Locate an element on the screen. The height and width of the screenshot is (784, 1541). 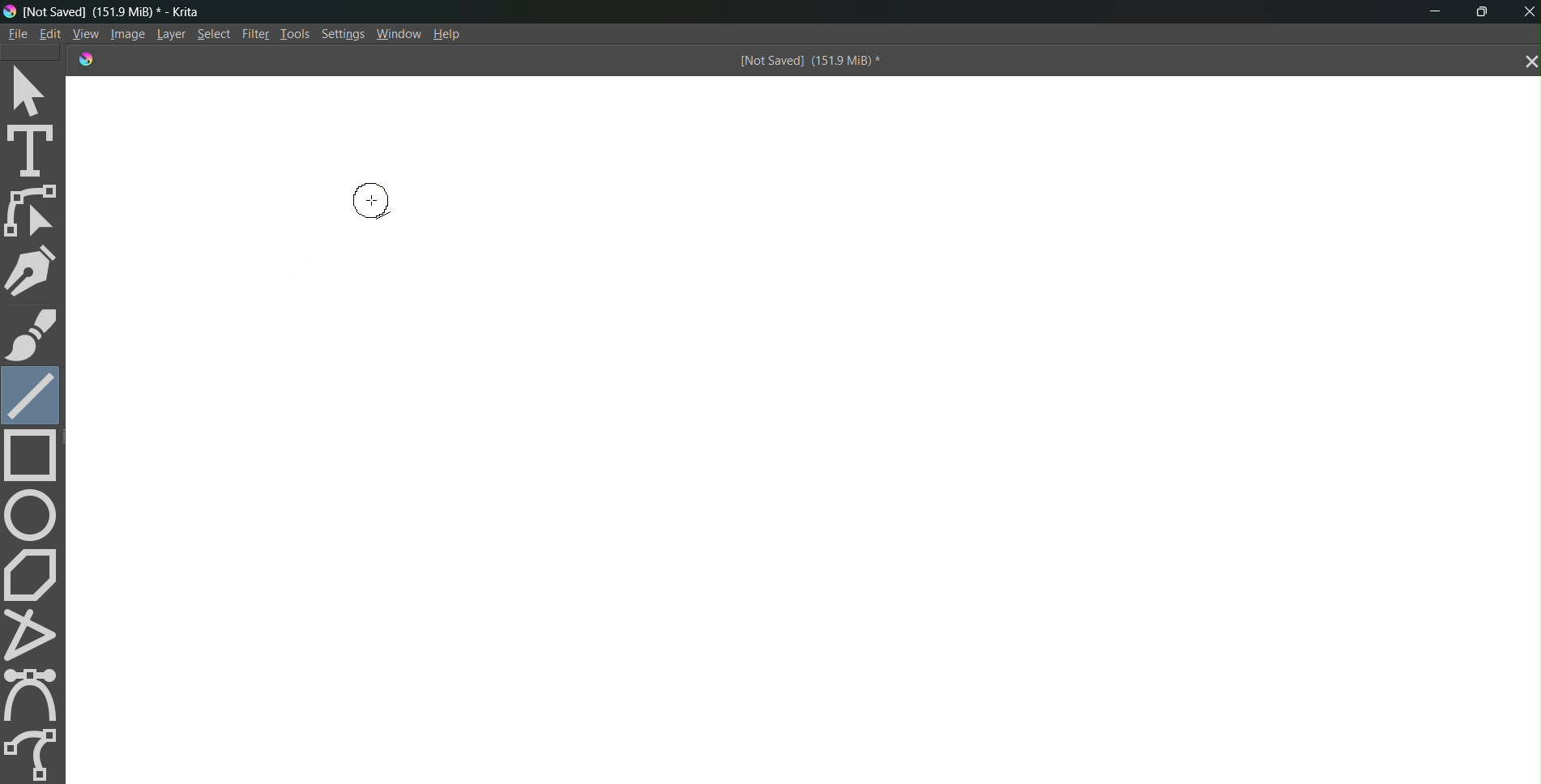
[Not Saved] (151.9 MiB) * is located at coordinates (807, 62).